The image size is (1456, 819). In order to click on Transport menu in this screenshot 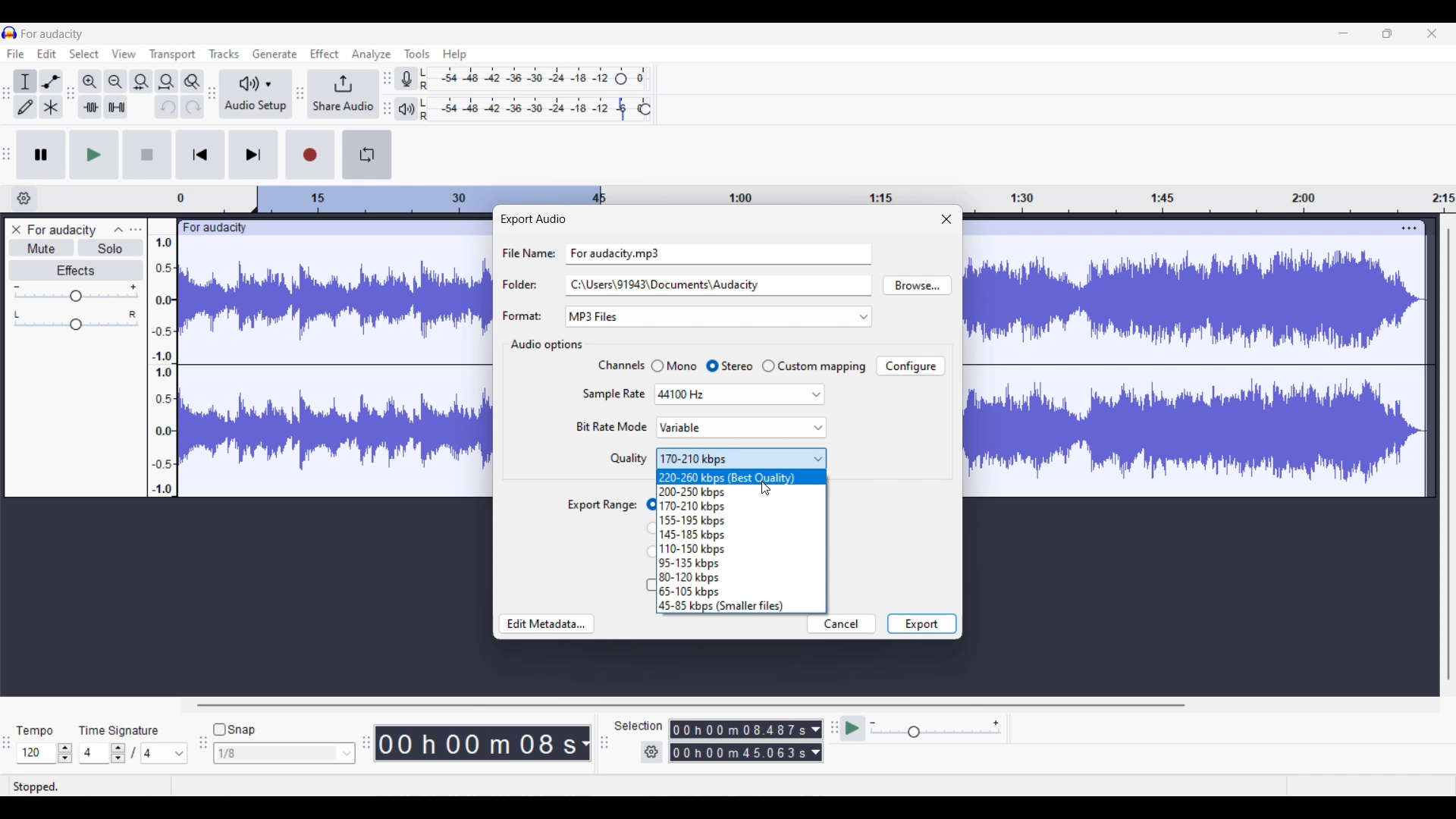, I will do `click(173, 55)`.